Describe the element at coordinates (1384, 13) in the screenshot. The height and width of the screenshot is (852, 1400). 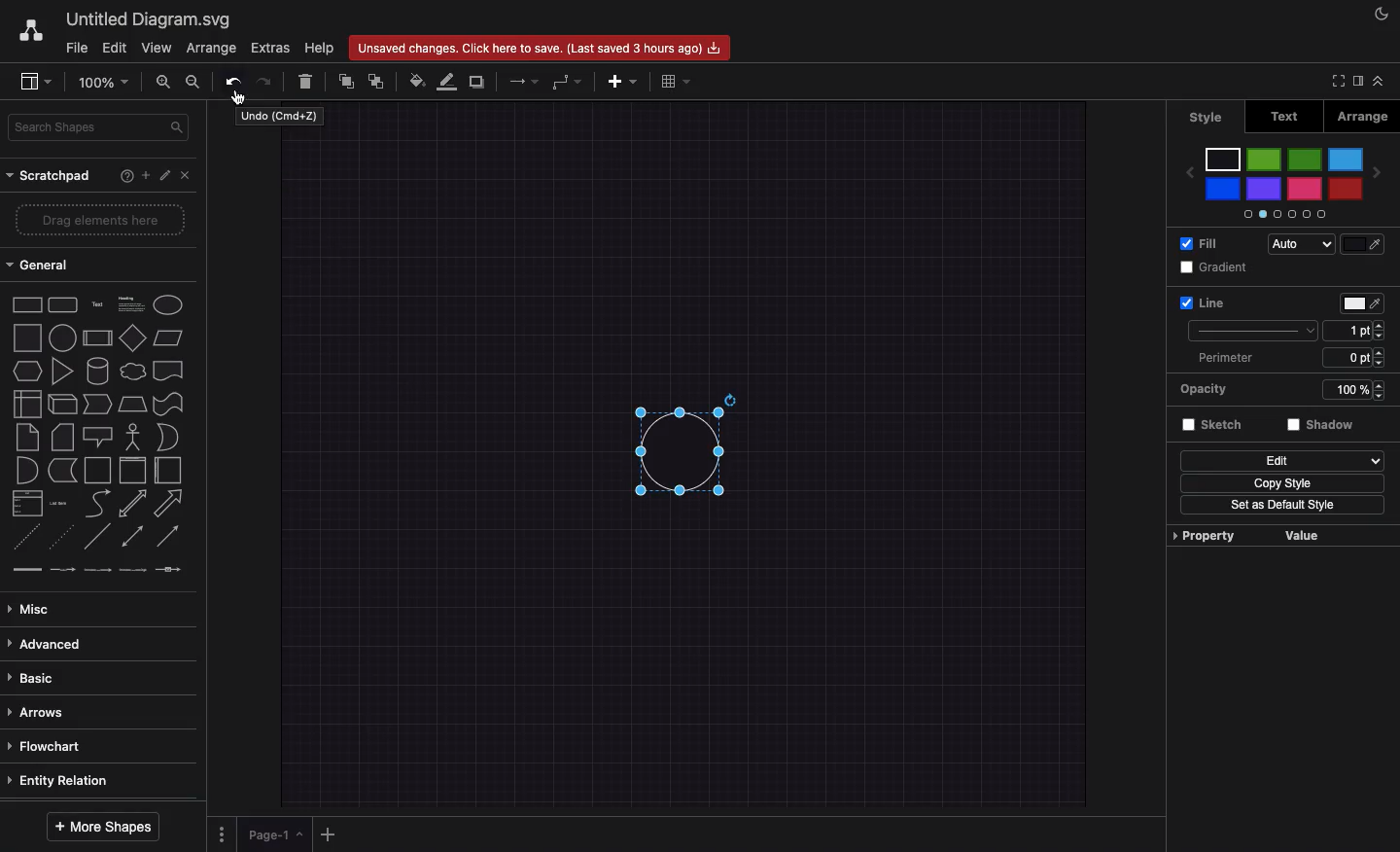
I see `Night mode` at that location.